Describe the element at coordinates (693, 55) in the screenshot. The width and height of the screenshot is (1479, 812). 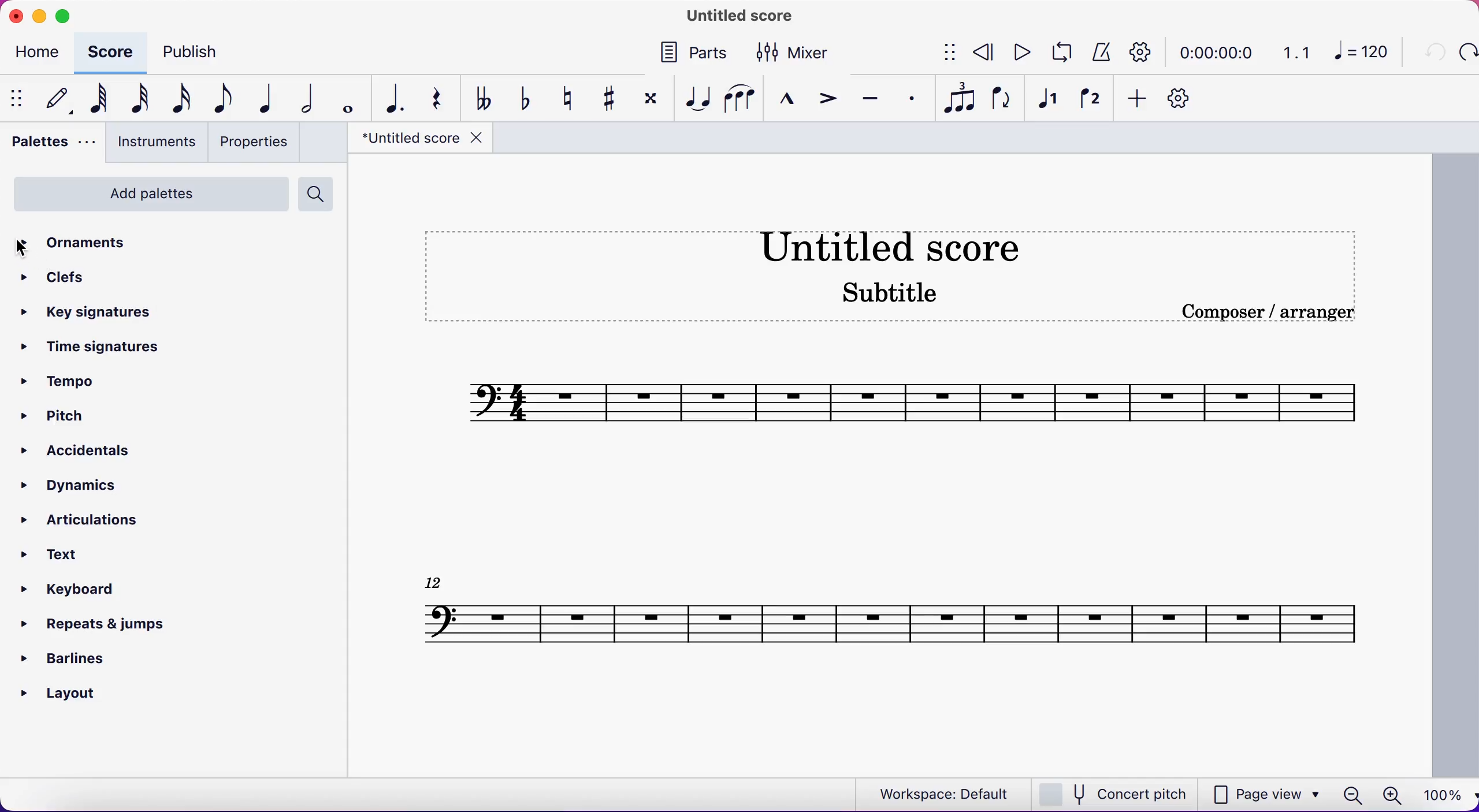
I see `parts` at that location.